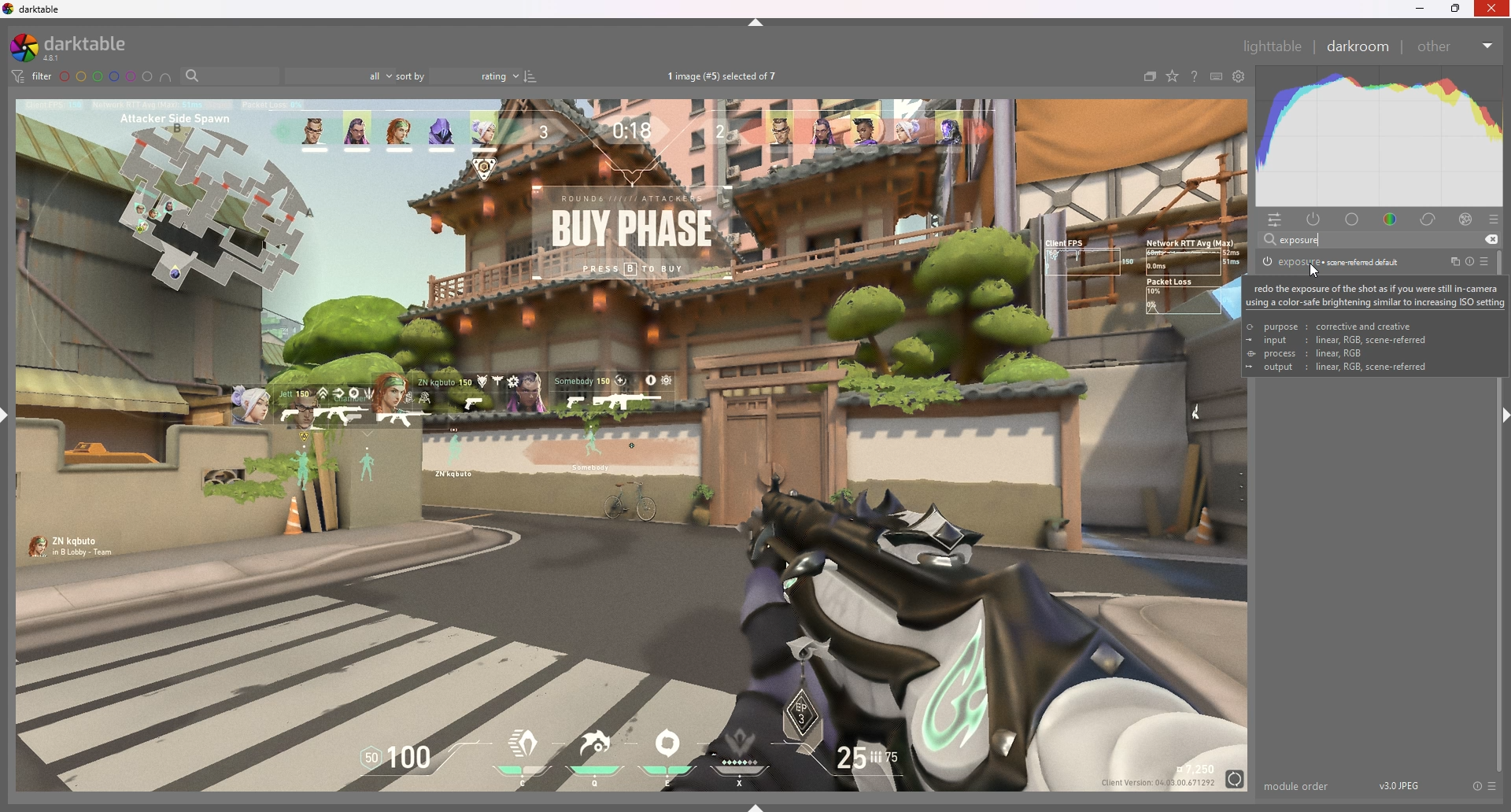 The width and height of the screenshot is (1511, 812). Describe the element at coordinates (1215, 76) in the screenshot. I see `keyboars shortcut` at that location.